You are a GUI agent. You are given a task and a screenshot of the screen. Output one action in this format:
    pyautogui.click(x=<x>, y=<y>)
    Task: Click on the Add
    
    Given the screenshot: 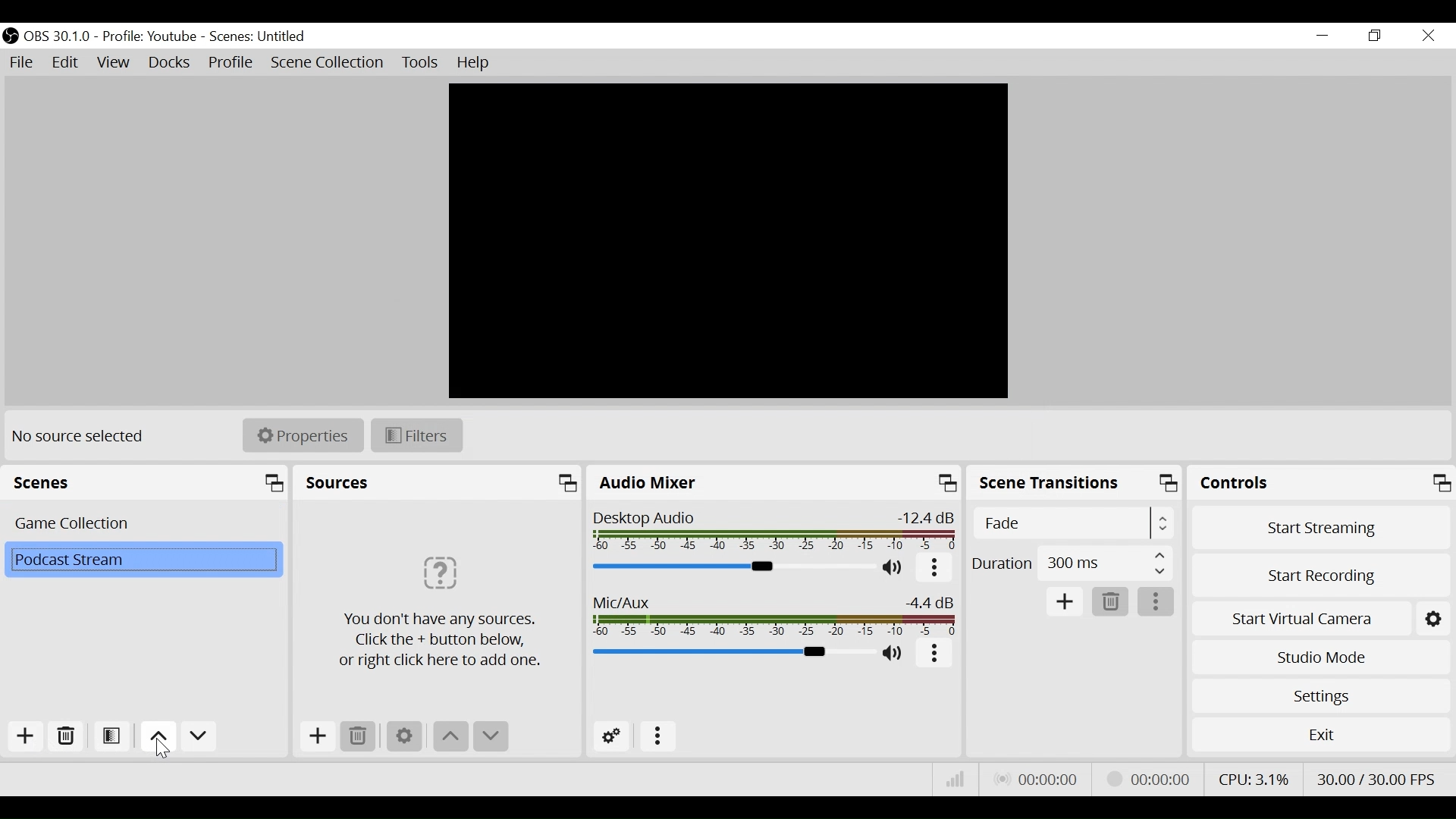 What is the action you would take?
    pyautogui.click(x=1065, y=601)
    